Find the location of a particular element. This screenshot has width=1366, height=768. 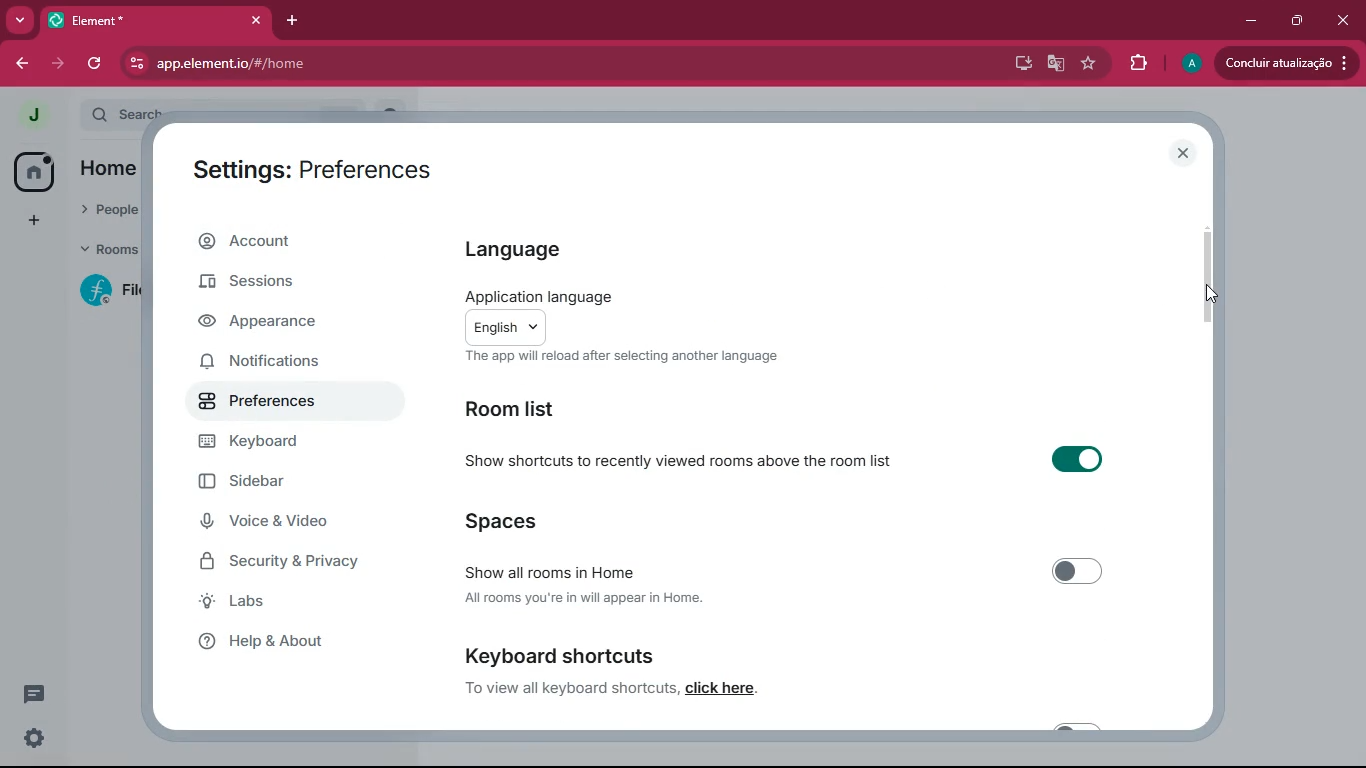

message is located at coordinates (34, 693).